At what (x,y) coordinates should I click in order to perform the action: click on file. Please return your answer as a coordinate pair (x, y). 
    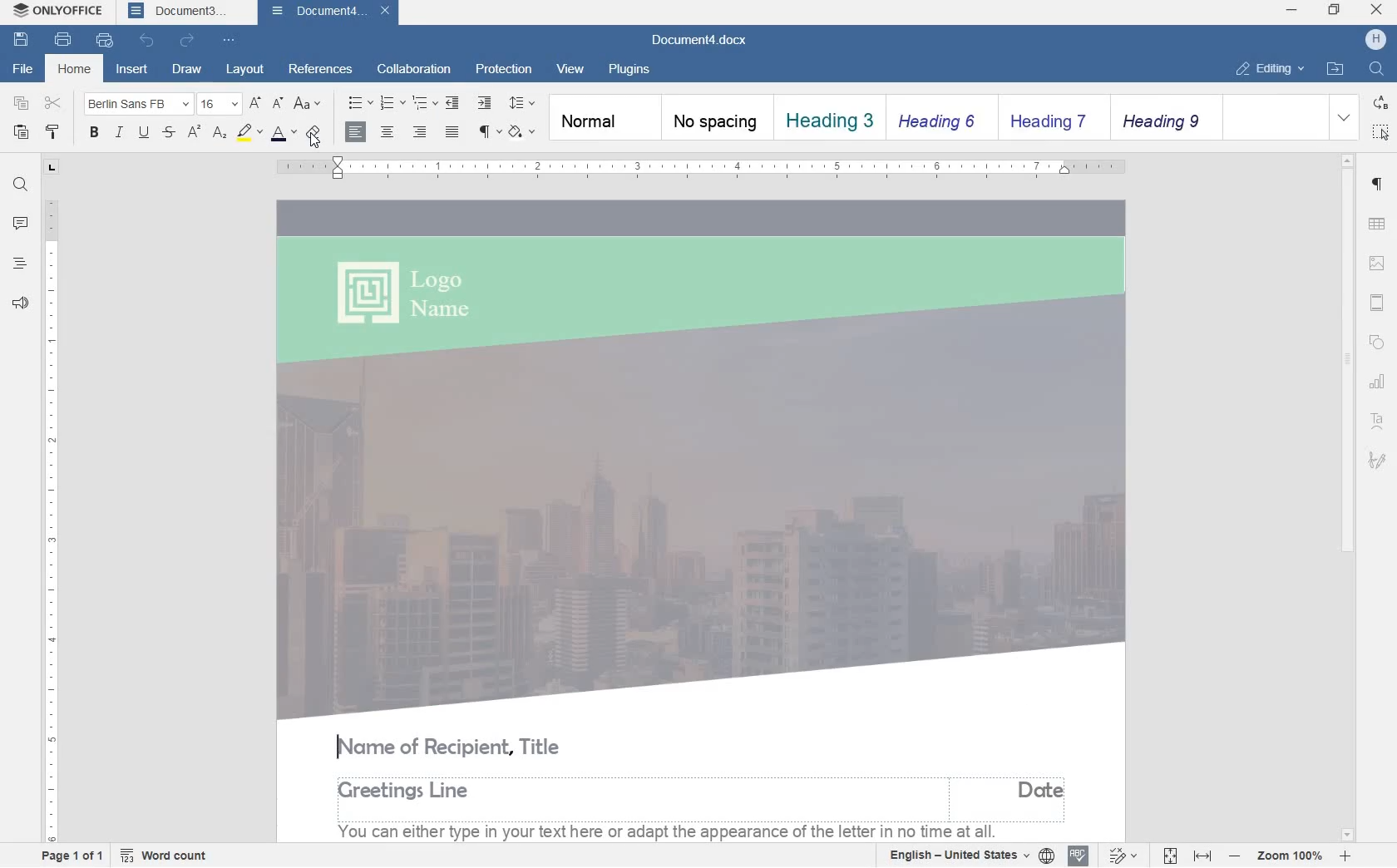
    Looking at the image, I should click on (23, 69).